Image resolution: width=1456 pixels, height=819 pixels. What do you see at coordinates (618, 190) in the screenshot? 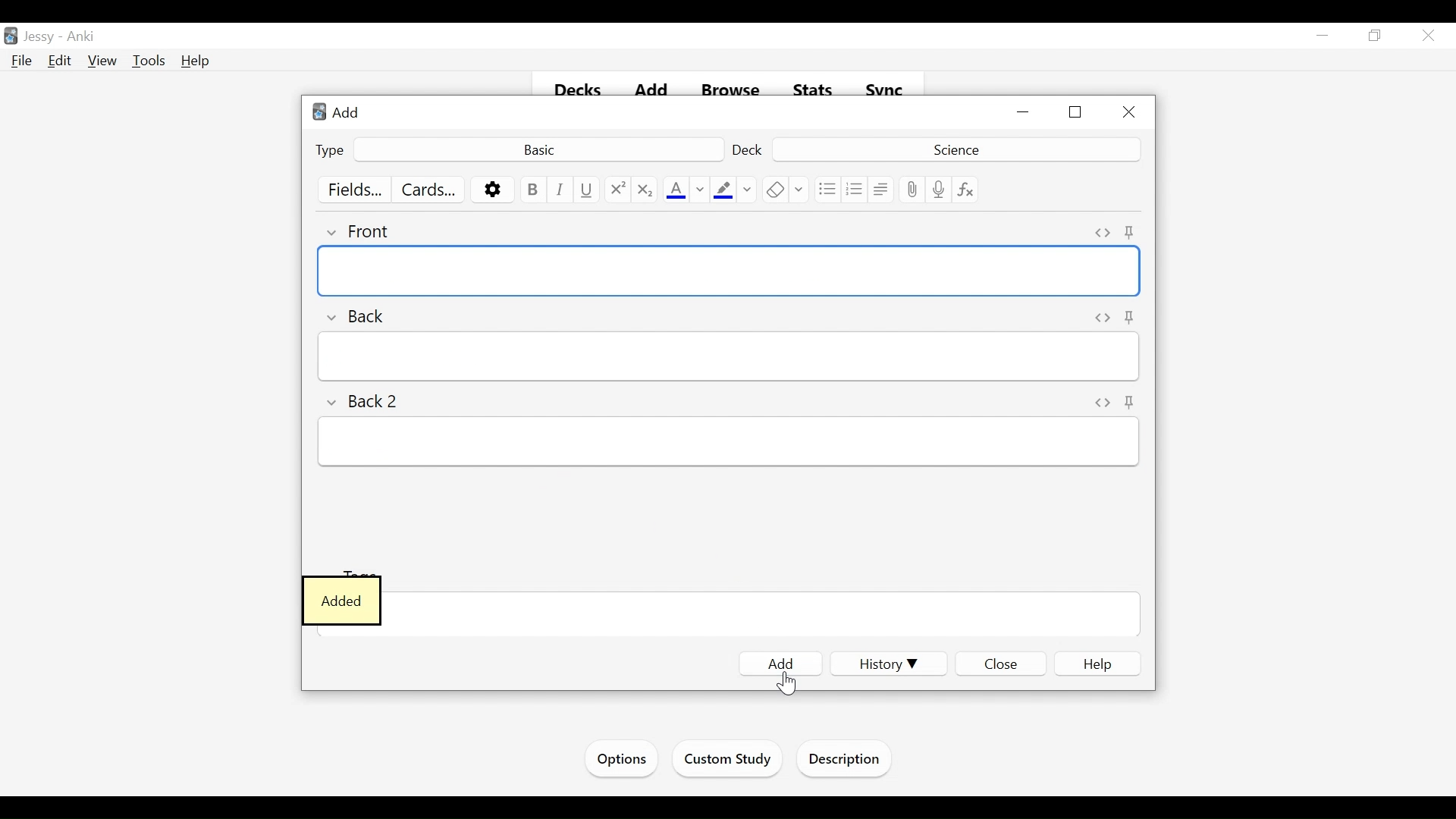
I see `Superscript` at bounding box center [618, 190].